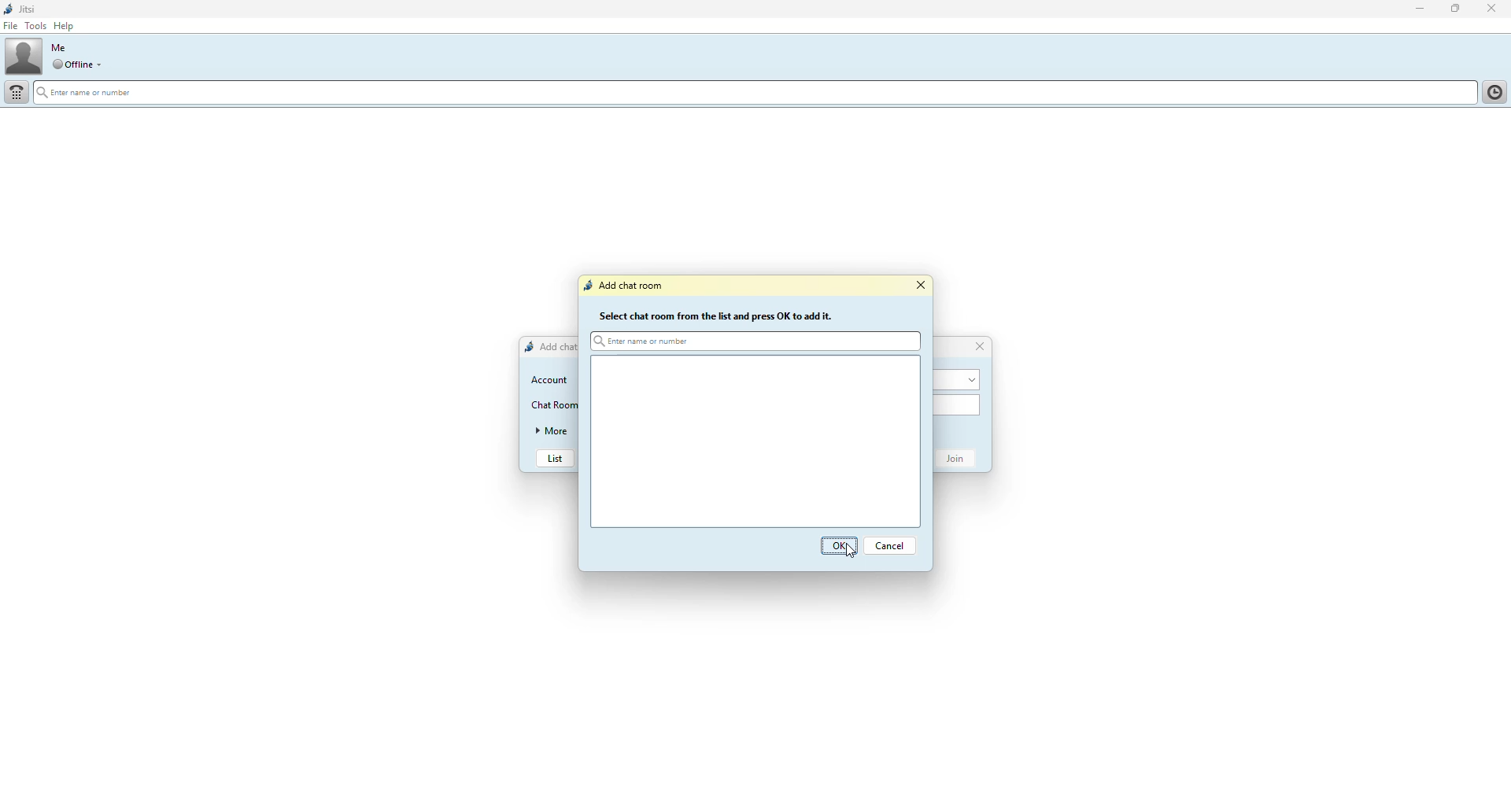 The image size is (1511, 812). Describe the element at coordinates (914, 282) in the screenshot. I see `close` at that location.